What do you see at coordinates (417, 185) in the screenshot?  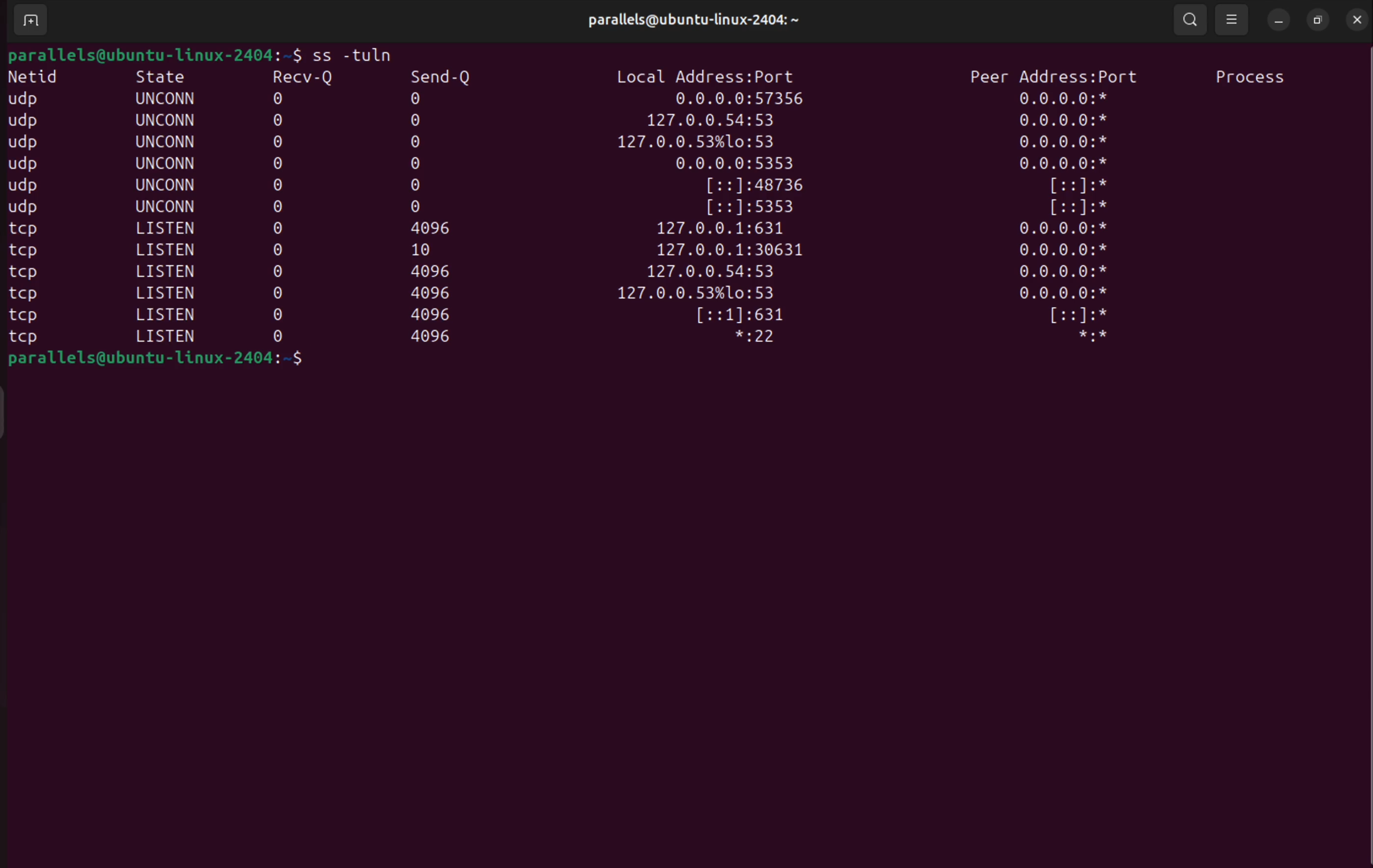 I see `0` at bounding box center [417, 185].